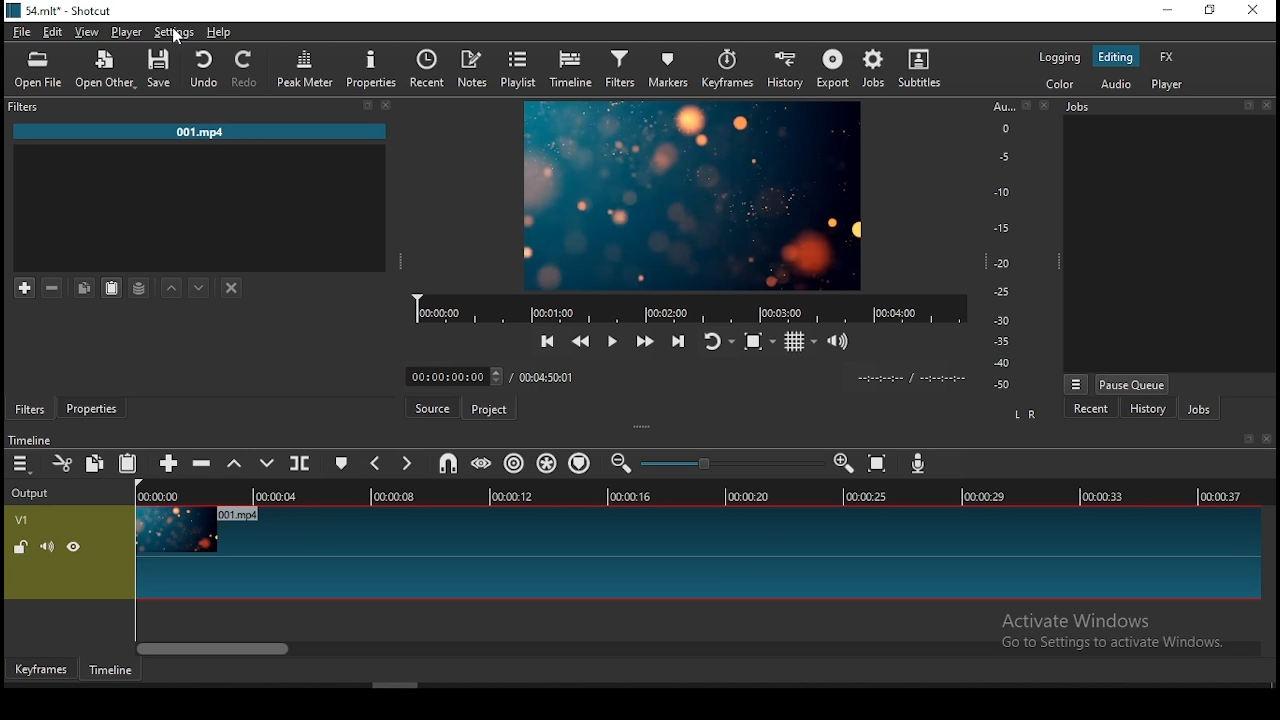 The image size is (1280, 720). I want to click on minimize, so click(1167, 11).